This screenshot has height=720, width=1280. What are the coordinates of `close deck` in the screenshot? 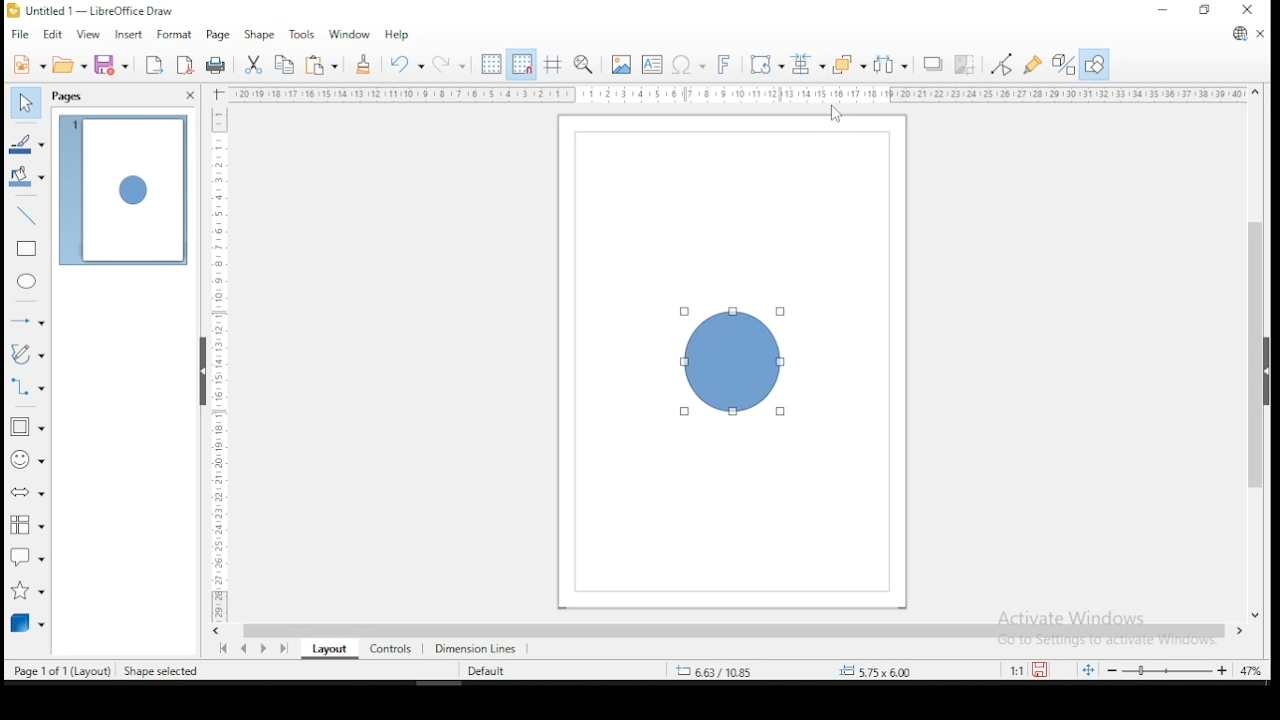 It's located at (189, 96).